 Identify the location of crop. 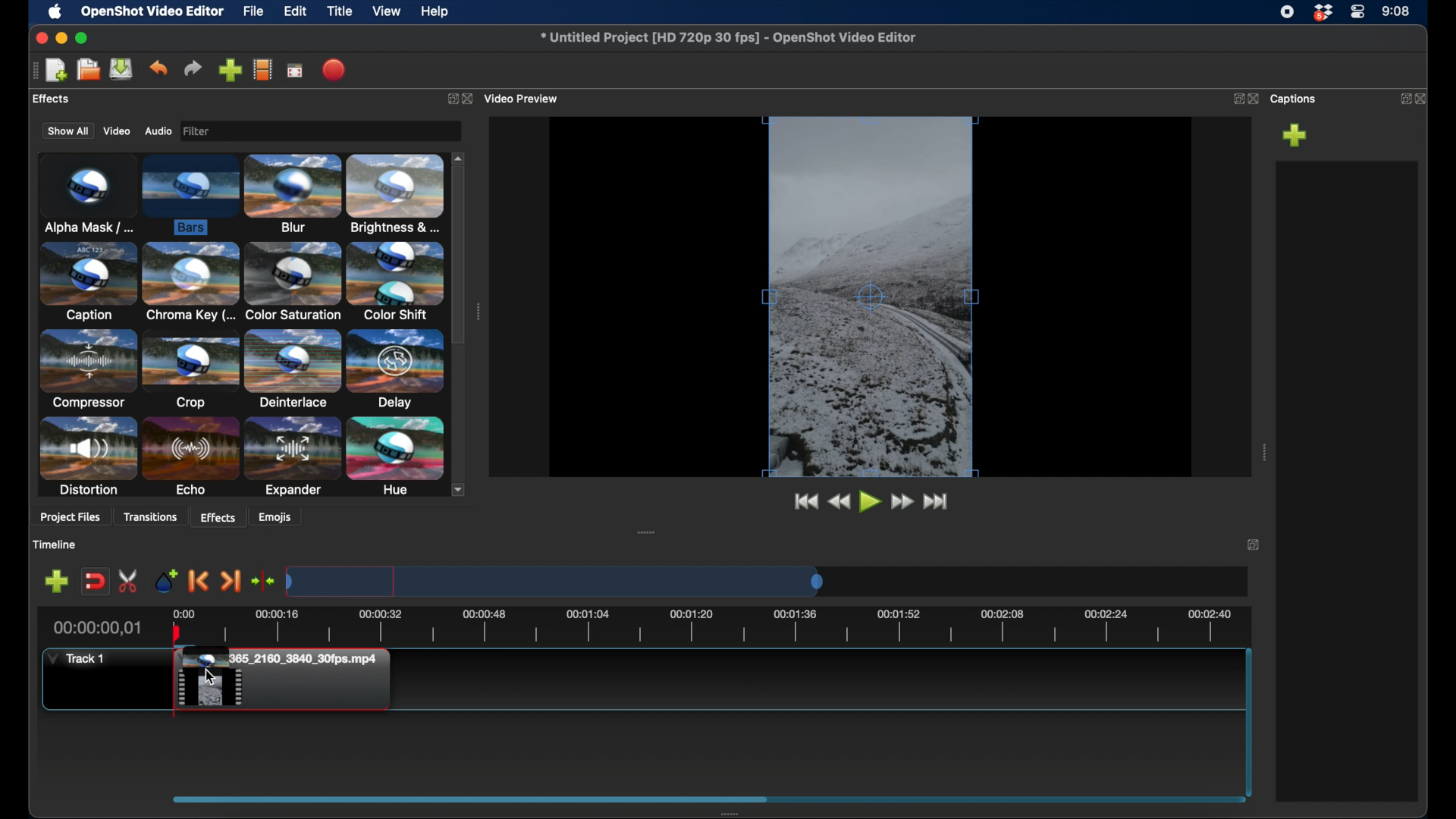
(190, 371).